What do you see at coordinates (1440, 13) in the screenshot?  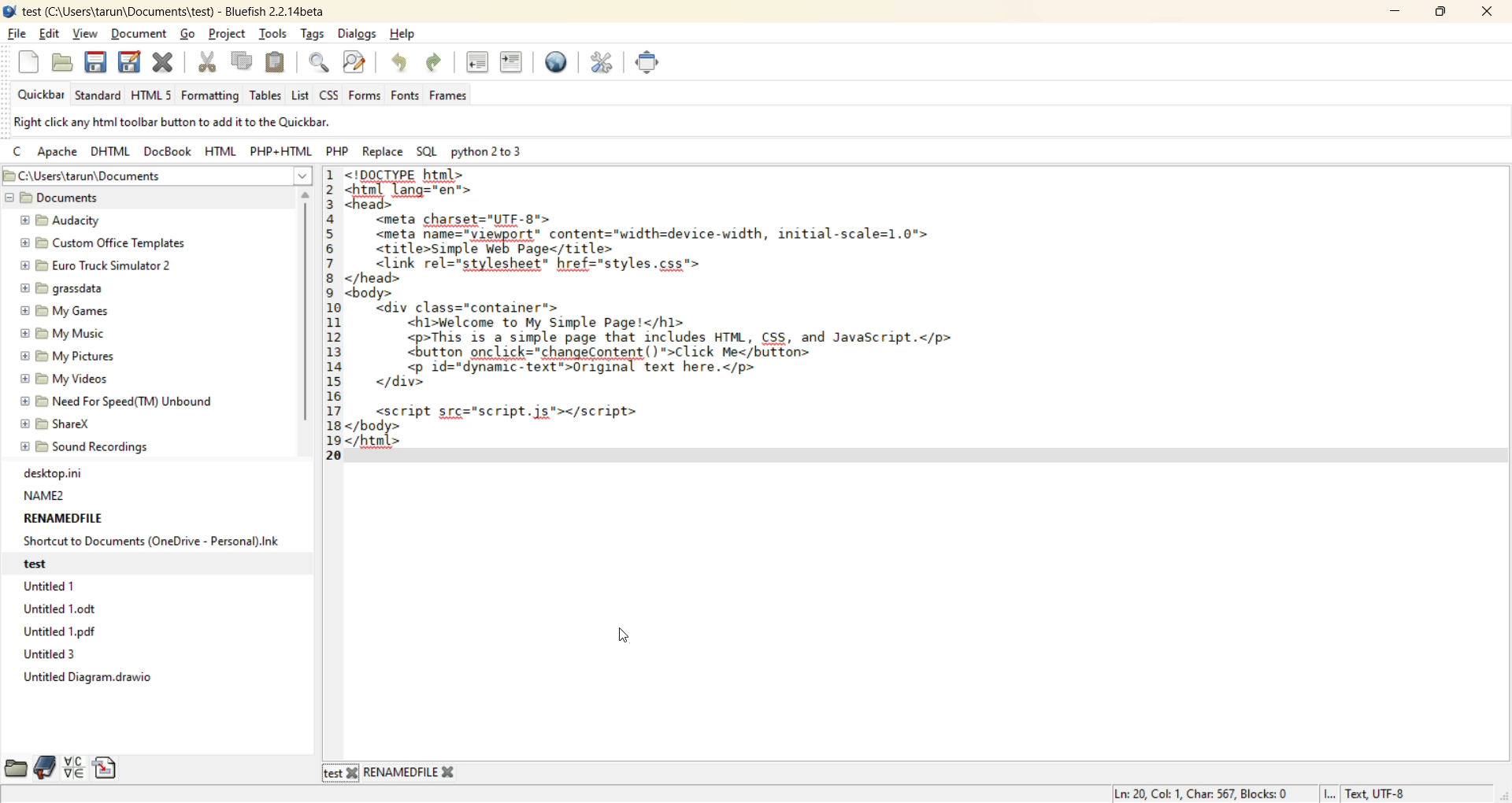 I see `maximize` at bounding box center [1440, 13].